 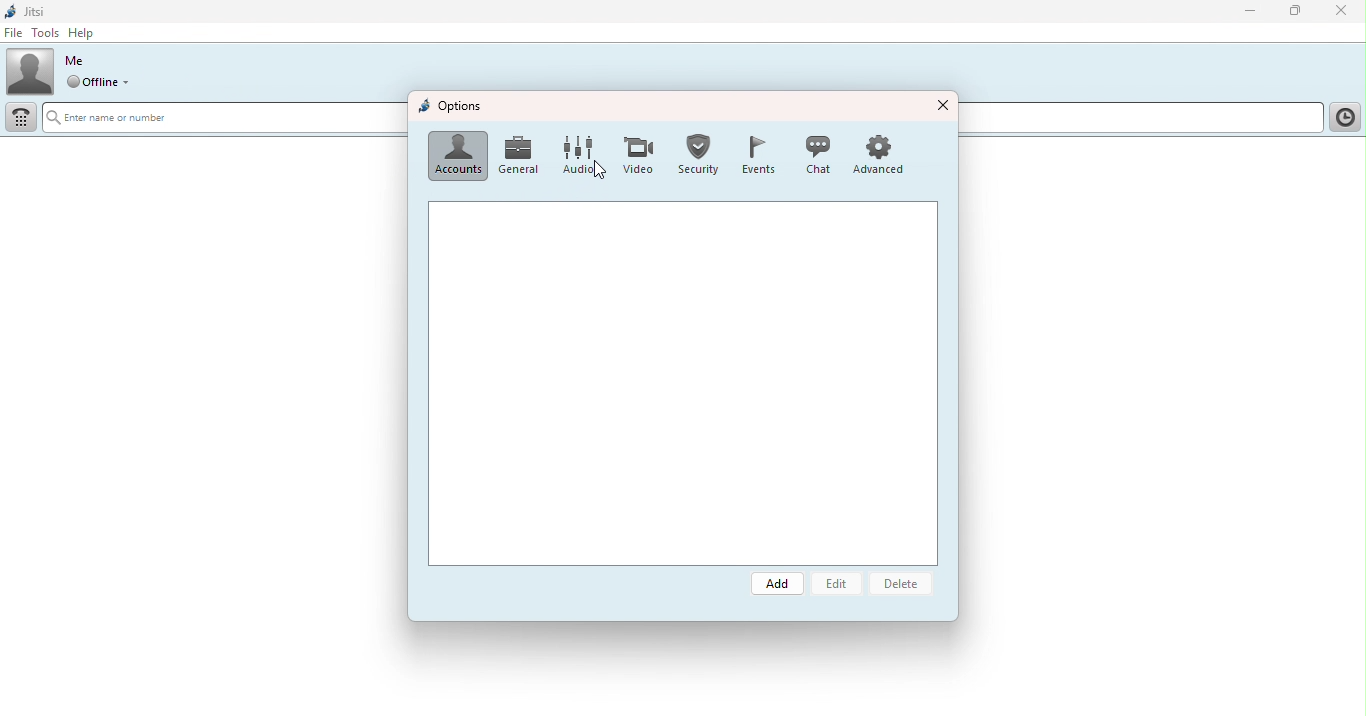 What do you see at coordinates (452, 107) in the screenshot?
I see `Options` at bounding box center [452, 107].